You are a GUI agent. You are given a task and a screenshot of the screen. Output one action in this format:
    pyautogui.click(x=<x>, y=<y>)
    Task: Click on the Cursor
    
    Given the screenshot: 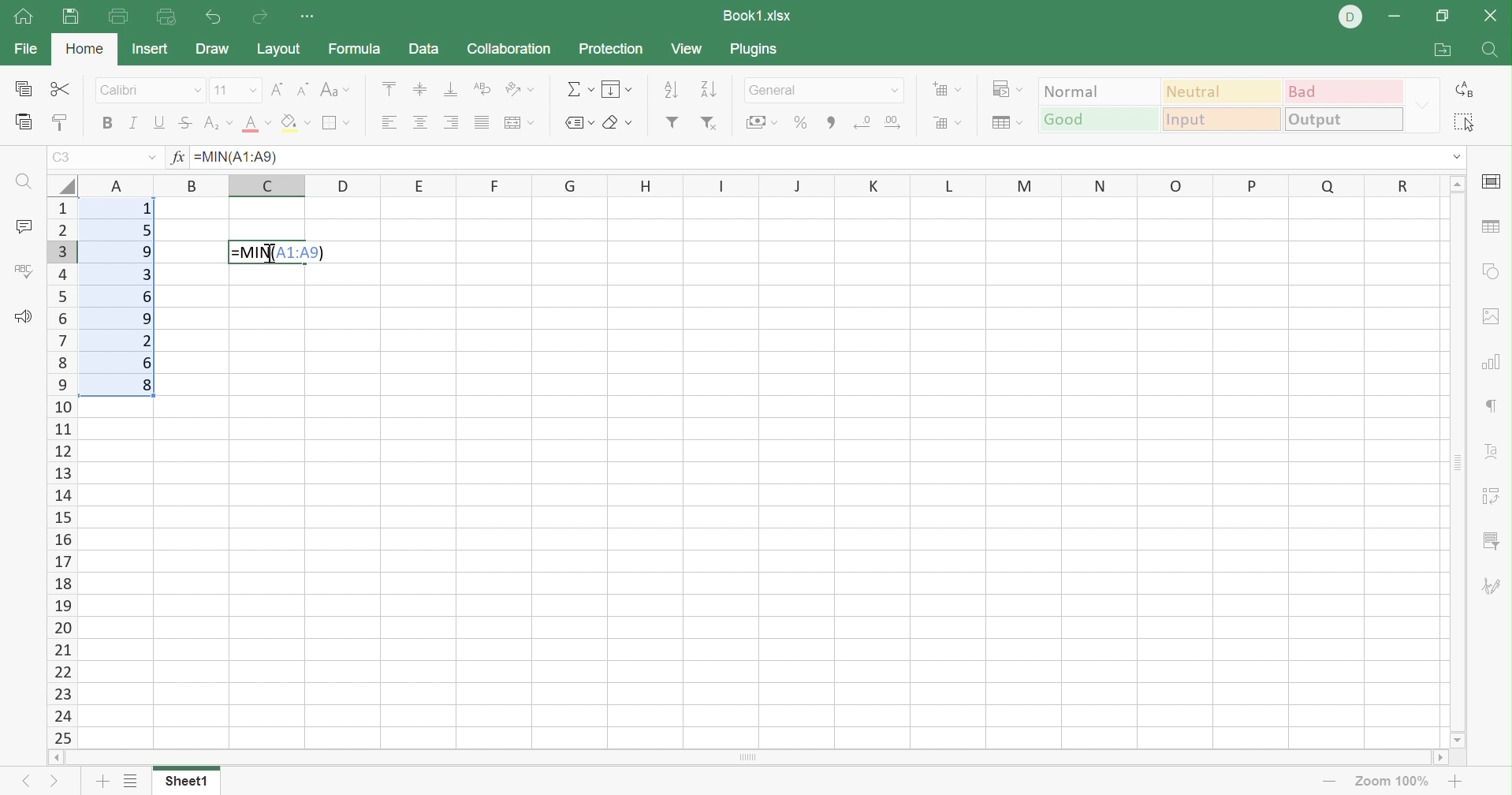 What is the action you would take?
    pyautogui.click(x=270, y=254)
    